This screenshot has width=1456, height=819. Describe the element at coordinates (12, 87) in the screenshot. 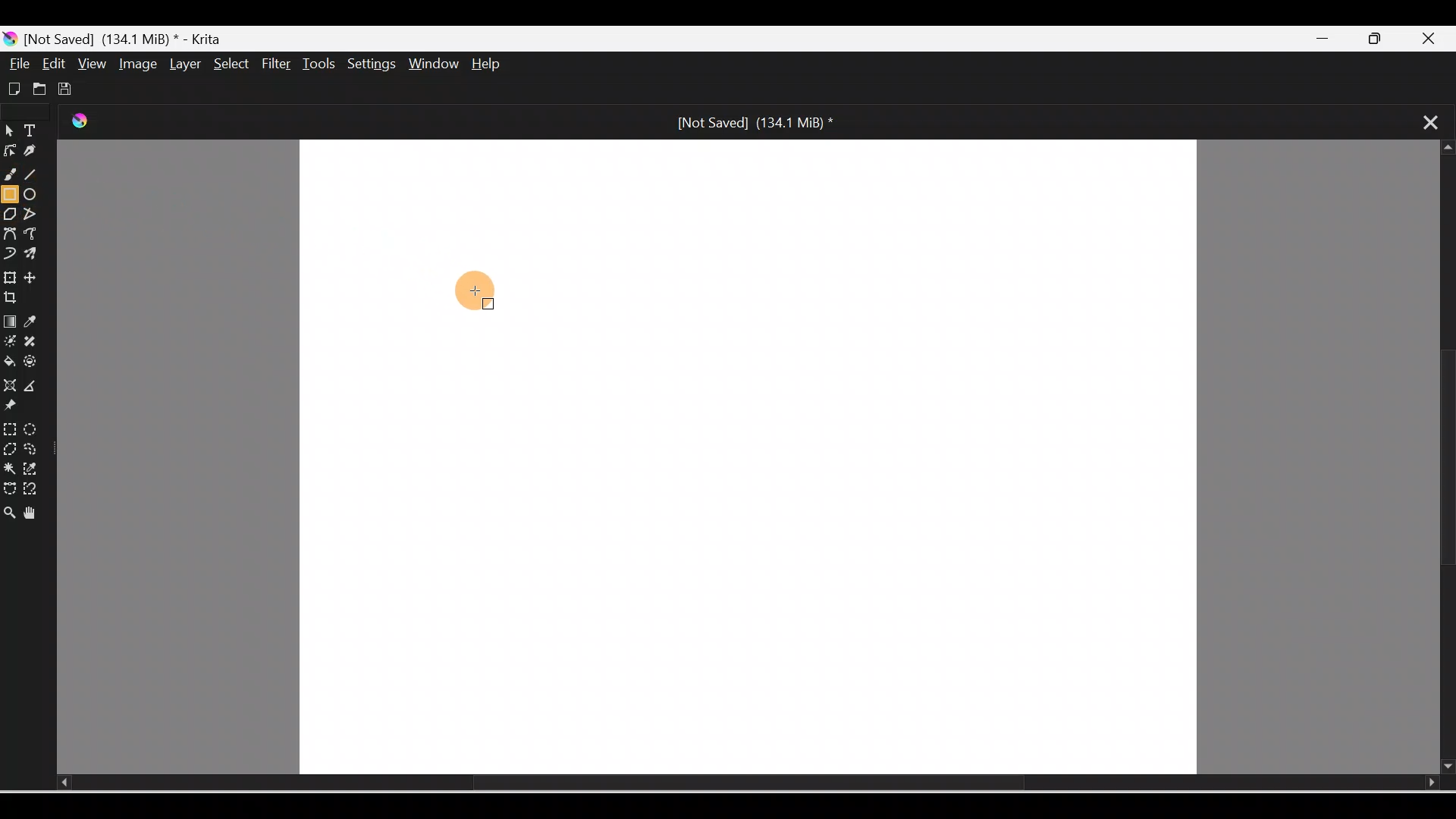

I see `Create new document` at that location.